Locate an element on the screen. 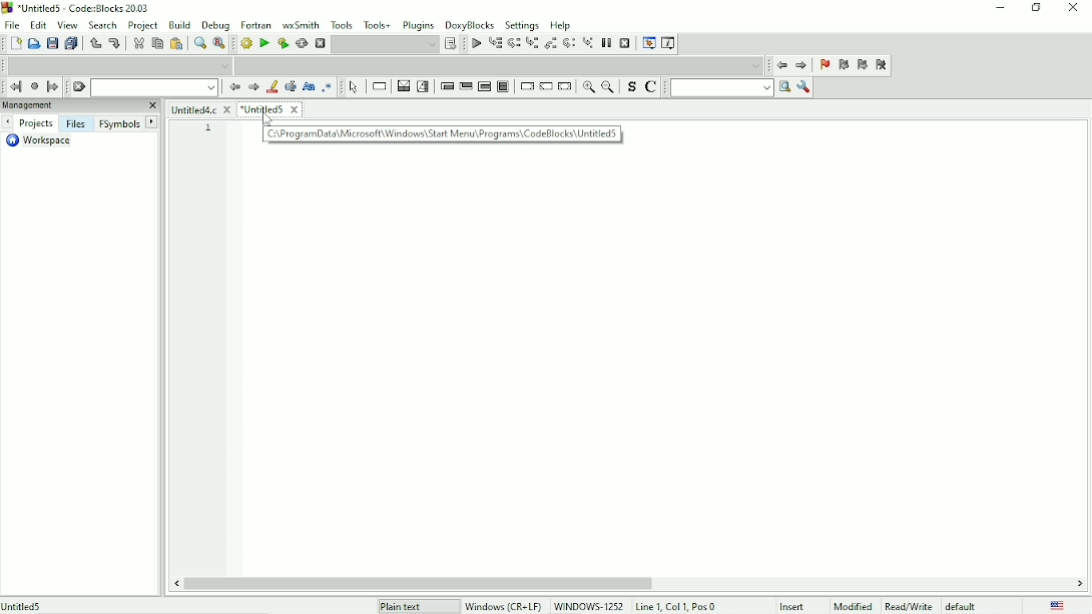 Image resolution: width=1092 pixels, height=614 pixels. Run to cursor is located at coordinates (494, 42).